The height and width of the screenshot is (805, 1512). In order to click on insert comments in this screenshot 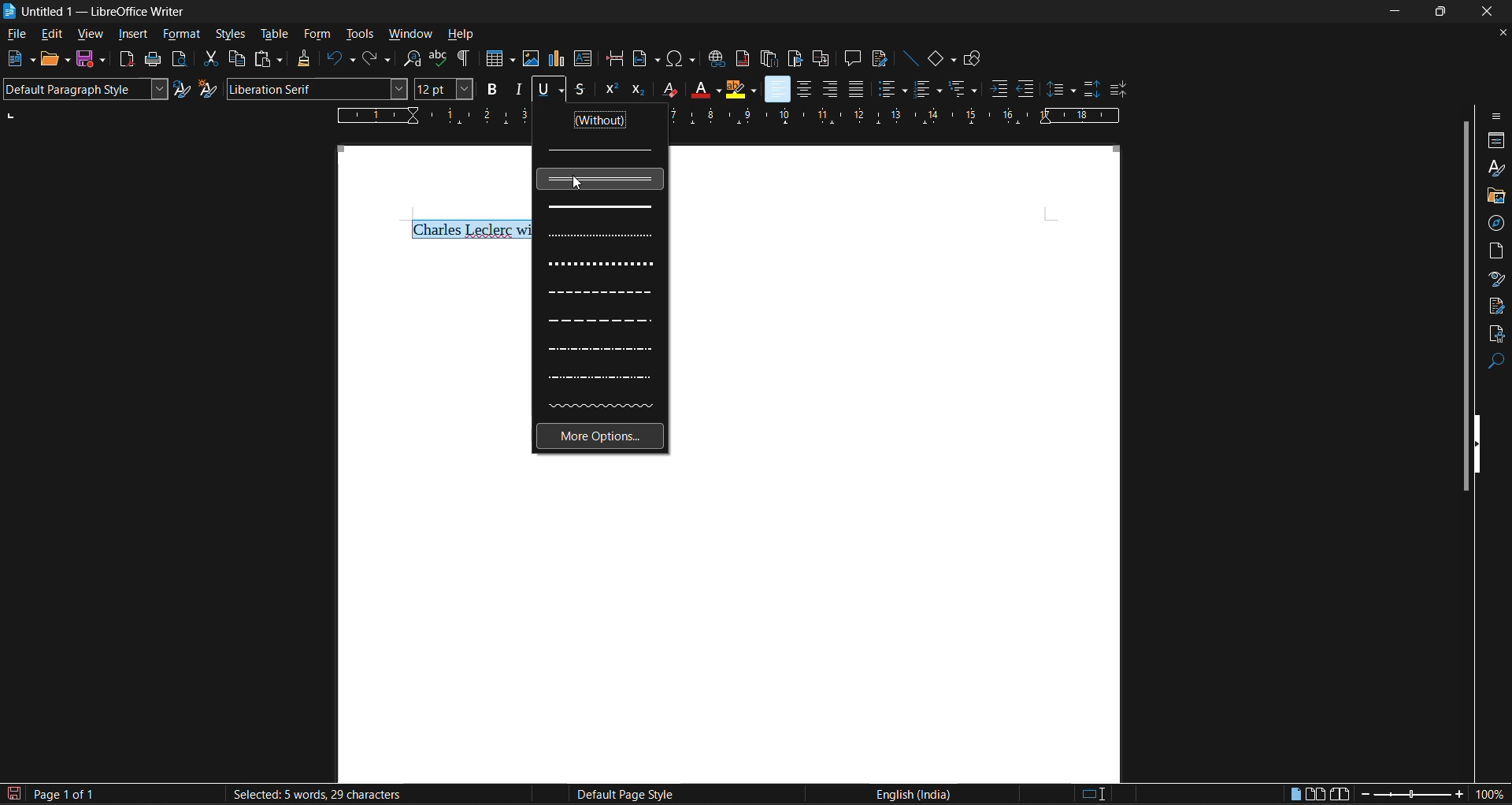, I will do `click(853, 58)`.